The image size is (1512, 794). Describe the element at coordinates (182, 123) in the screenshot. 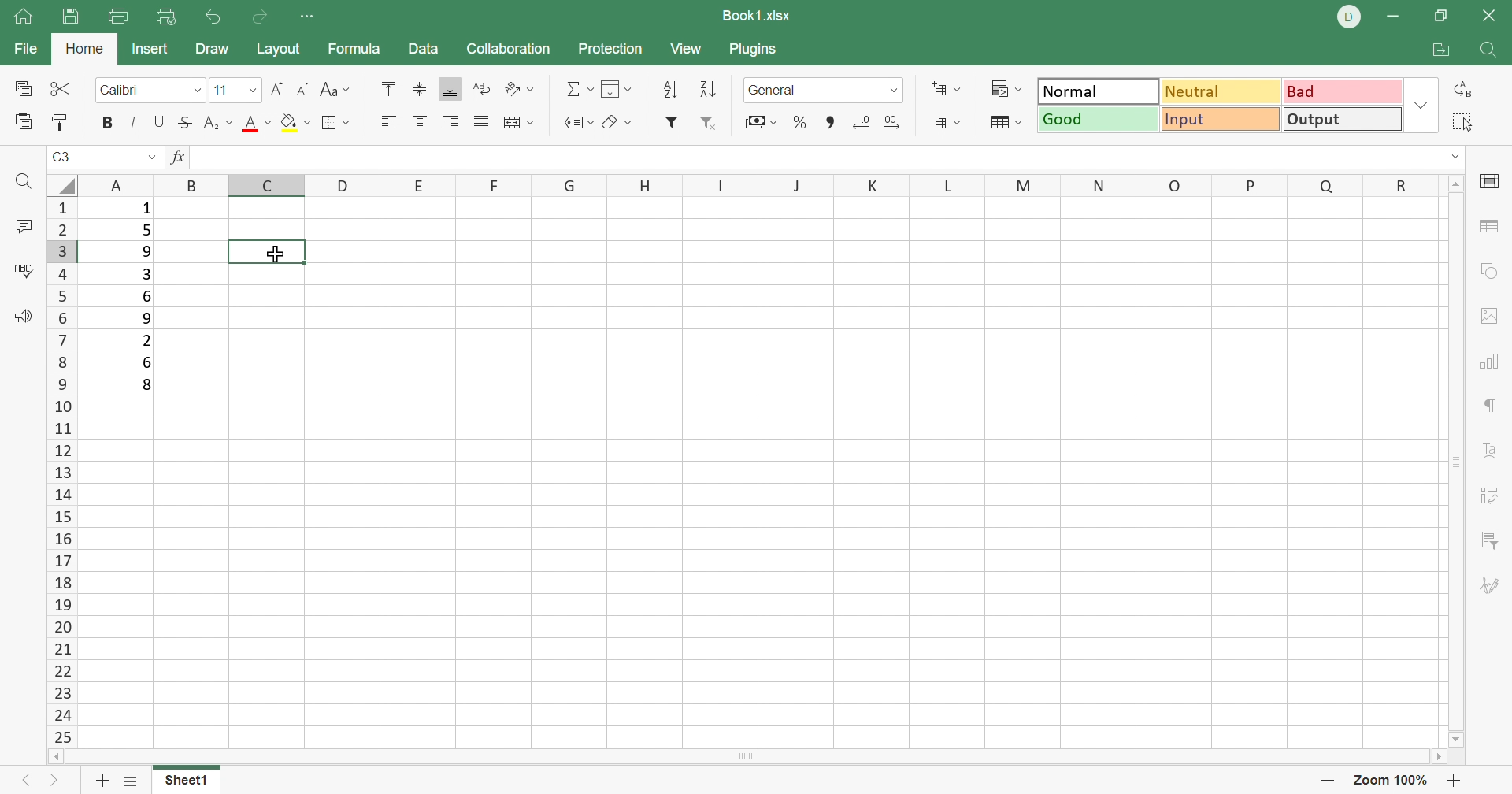

I see `Strikethrough` at that location.